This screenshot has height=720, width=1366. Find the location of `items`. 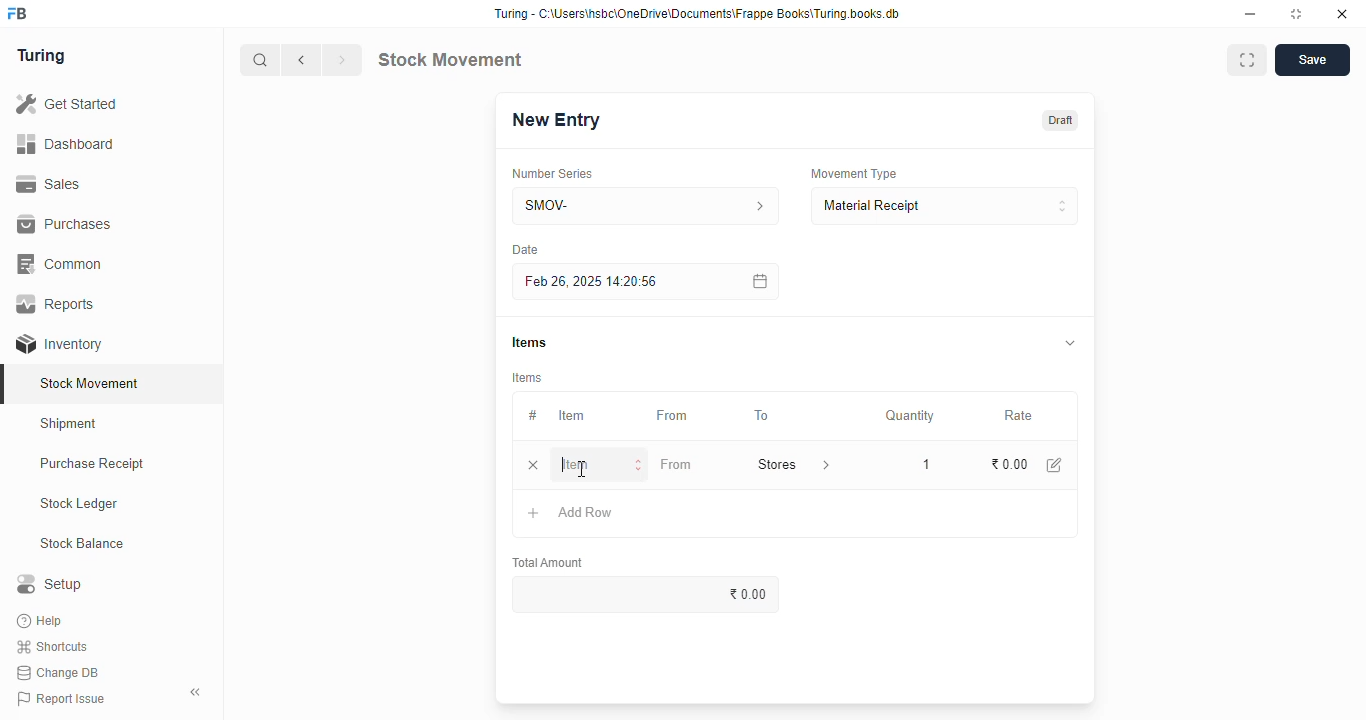

items is located at coordinates (529, 342).